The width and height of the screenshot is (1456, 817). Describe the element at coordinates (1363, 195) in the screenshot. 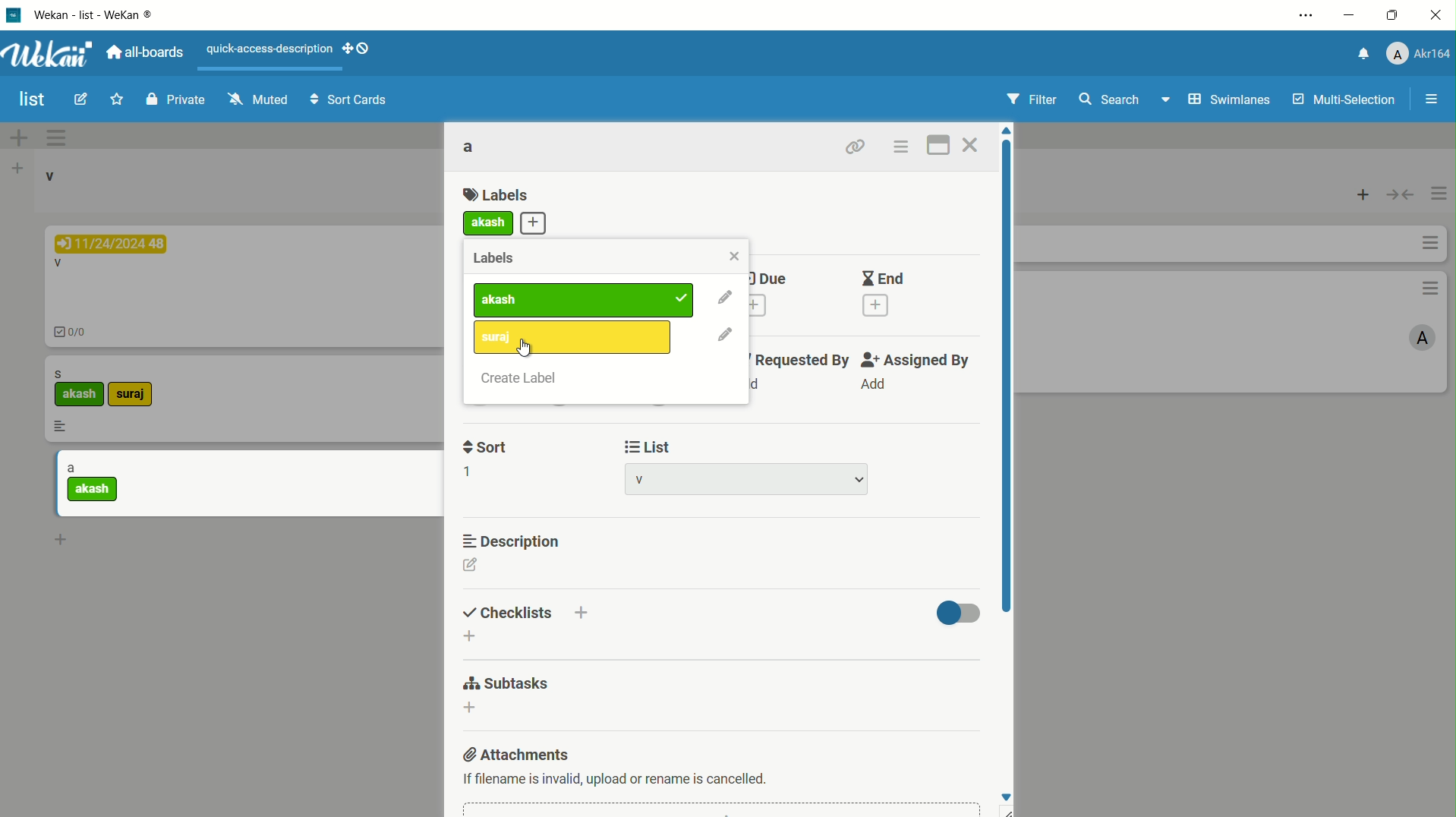

I see `add` at that location.